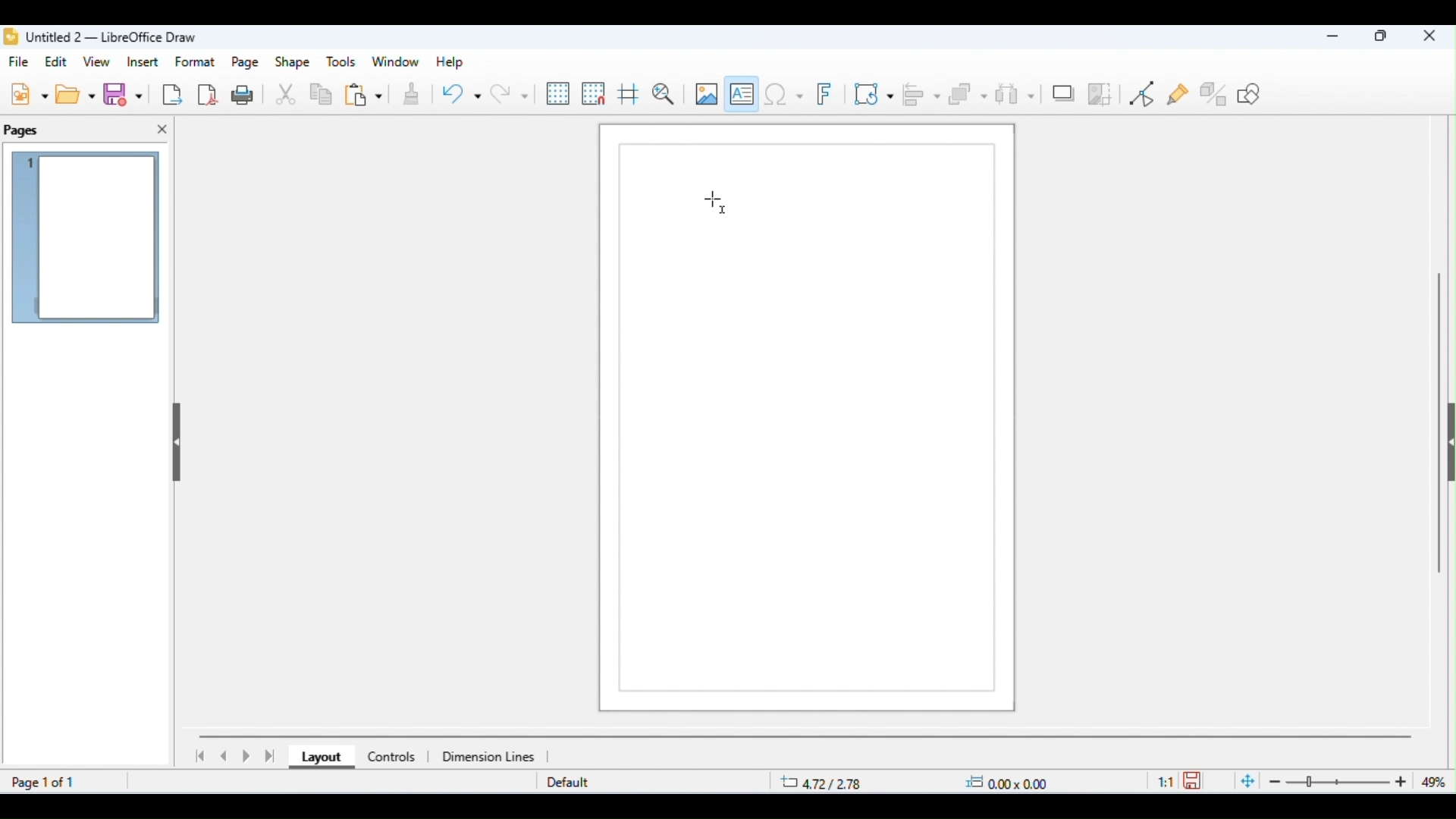  Describe the element at coordinates (491, 756) in the screenshot. I see `dimensions line` at that location.